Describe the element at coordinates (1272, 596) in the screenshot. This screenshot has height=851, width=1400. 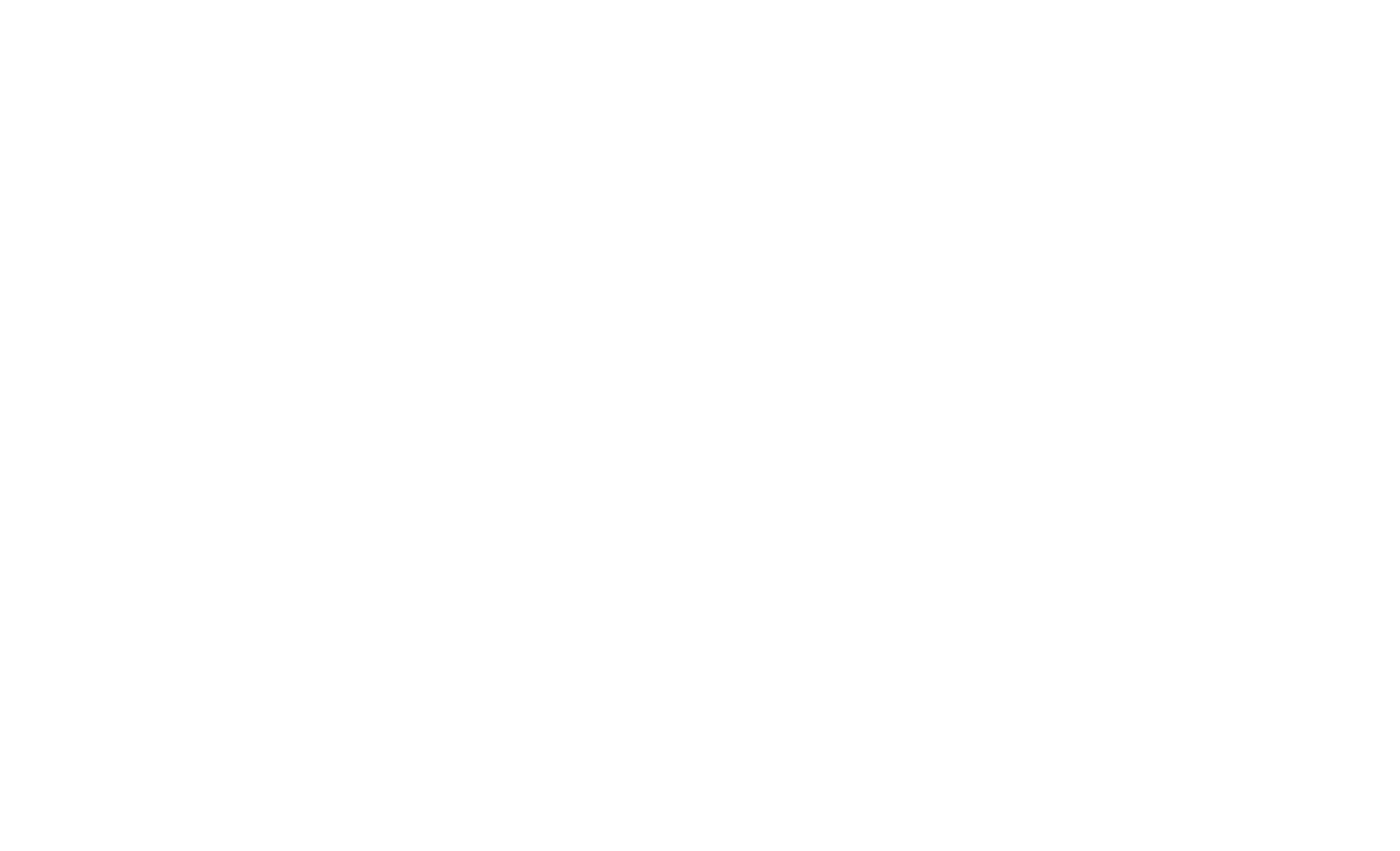
I see `Start streaming` at that location.